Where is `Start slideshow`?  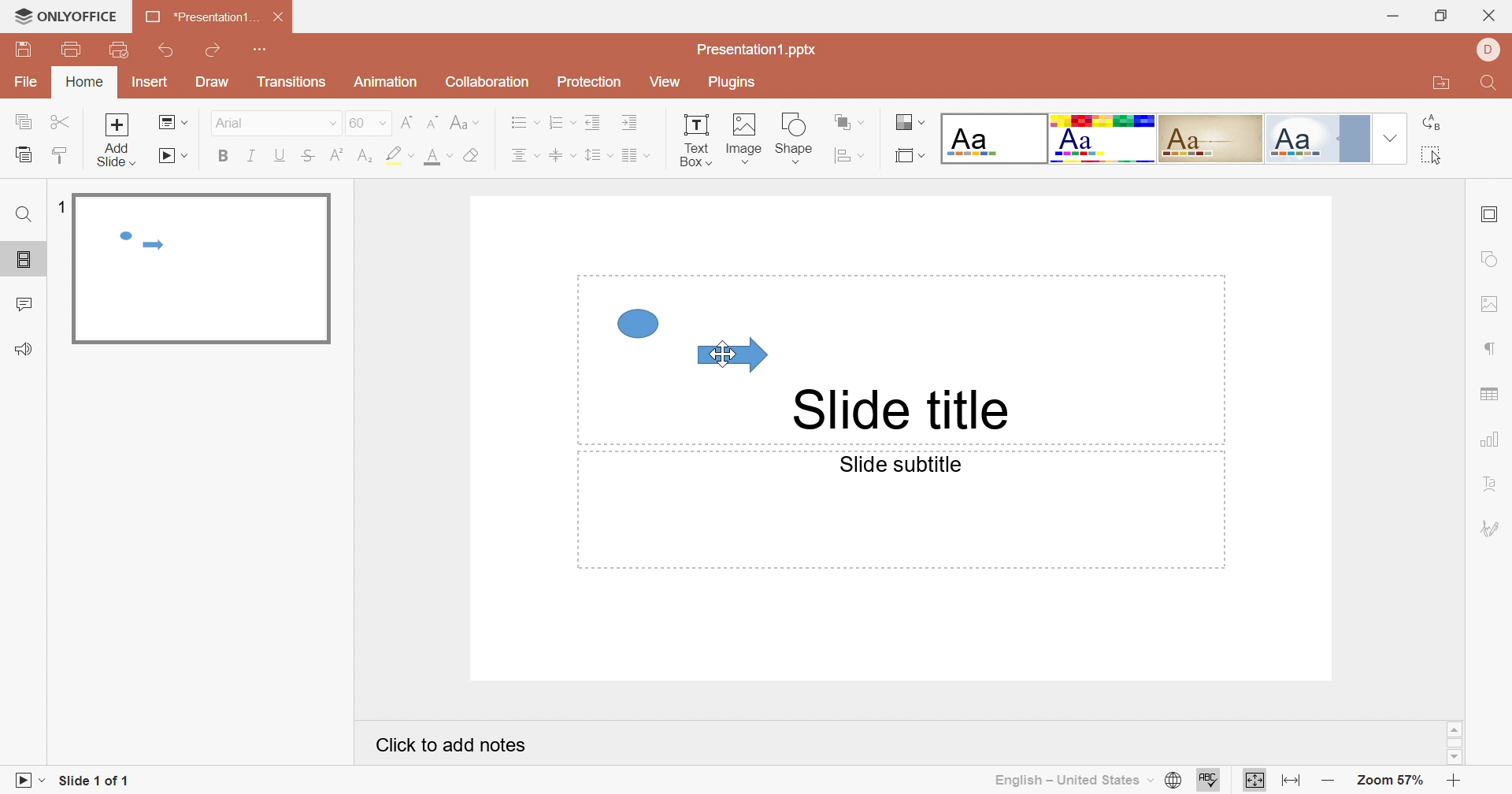 Start slideshow is located at coordinates (171, 156).